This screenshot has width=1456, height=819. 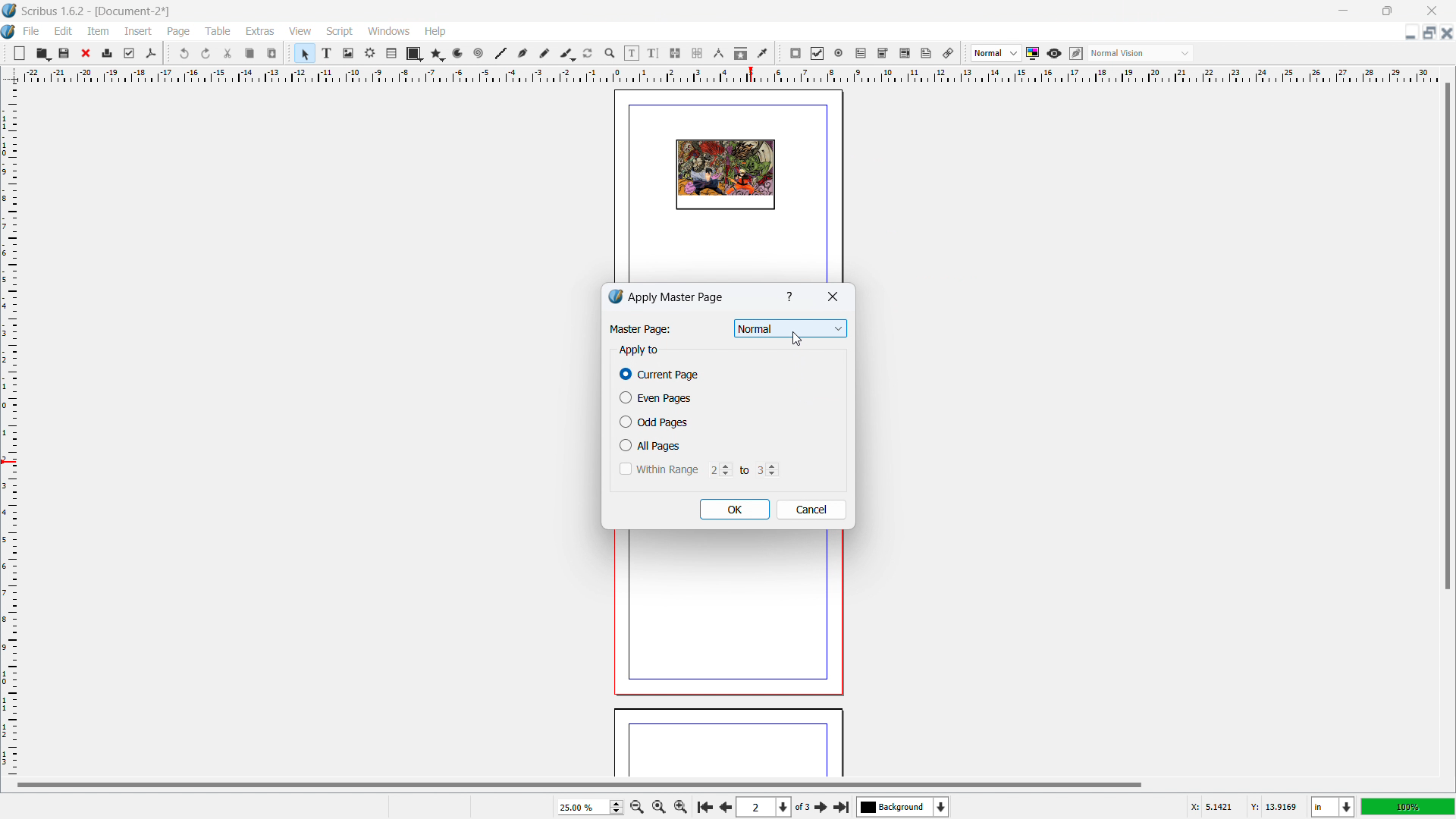 What do you see at coordinates (653, 53) in the screenshot?
I see `edit text with story editor` at bounding box center [653, 53].